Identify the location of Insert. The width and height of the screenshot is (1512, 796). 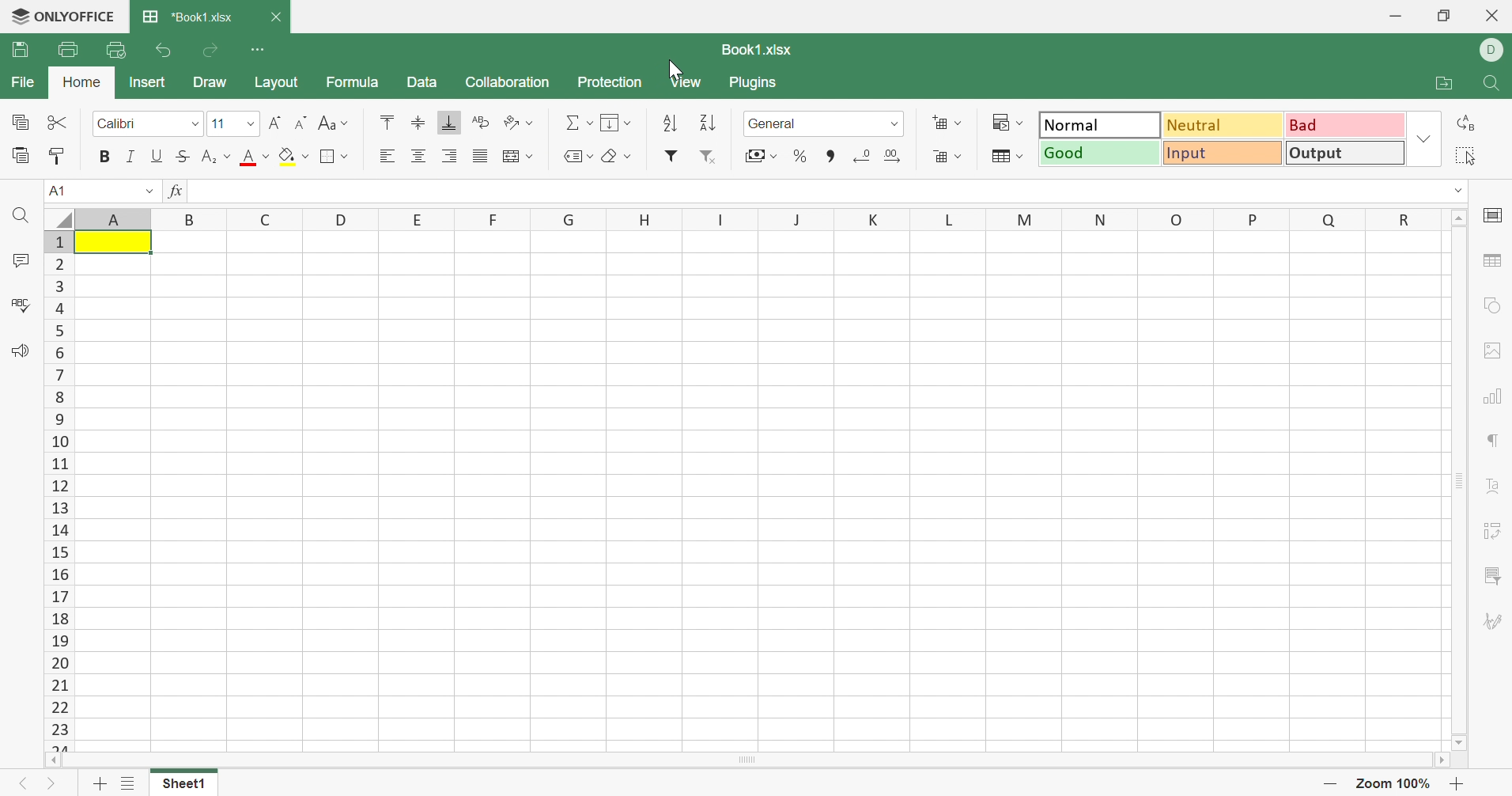
(148, 81).